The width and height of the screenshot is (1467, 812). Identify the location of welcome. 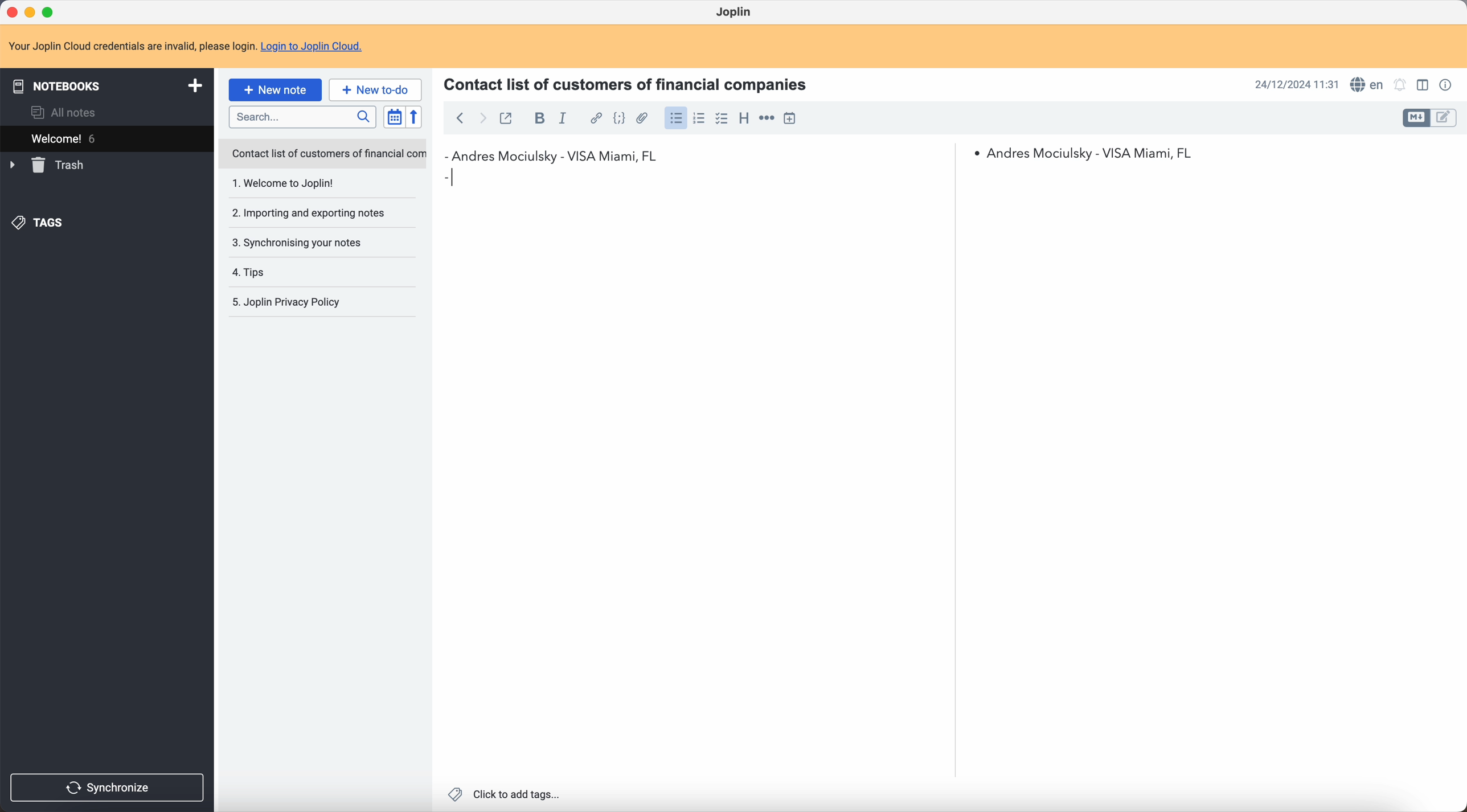
(96, 138).